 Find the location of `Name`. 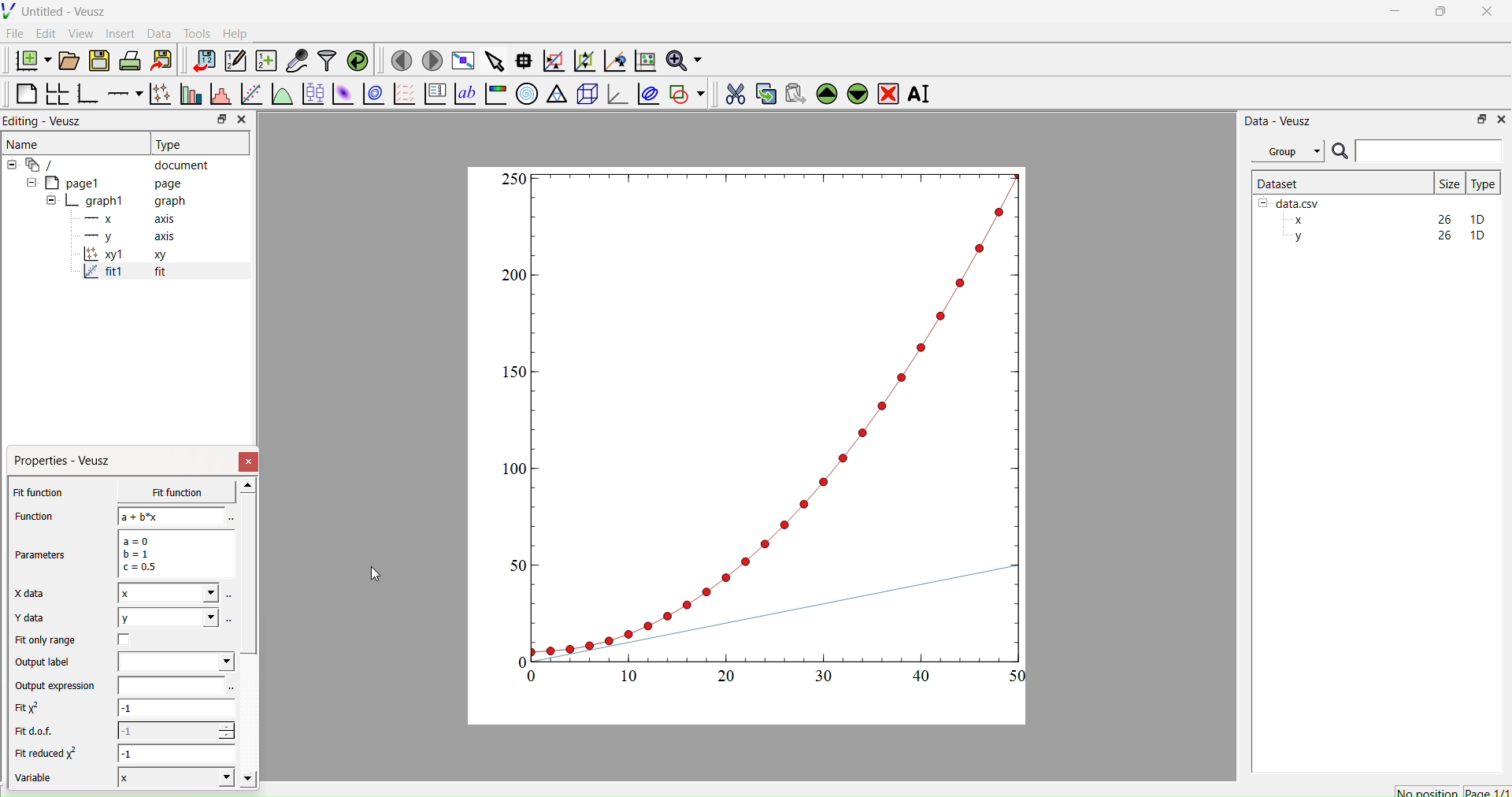

Name is located at coordinates (24, 143).